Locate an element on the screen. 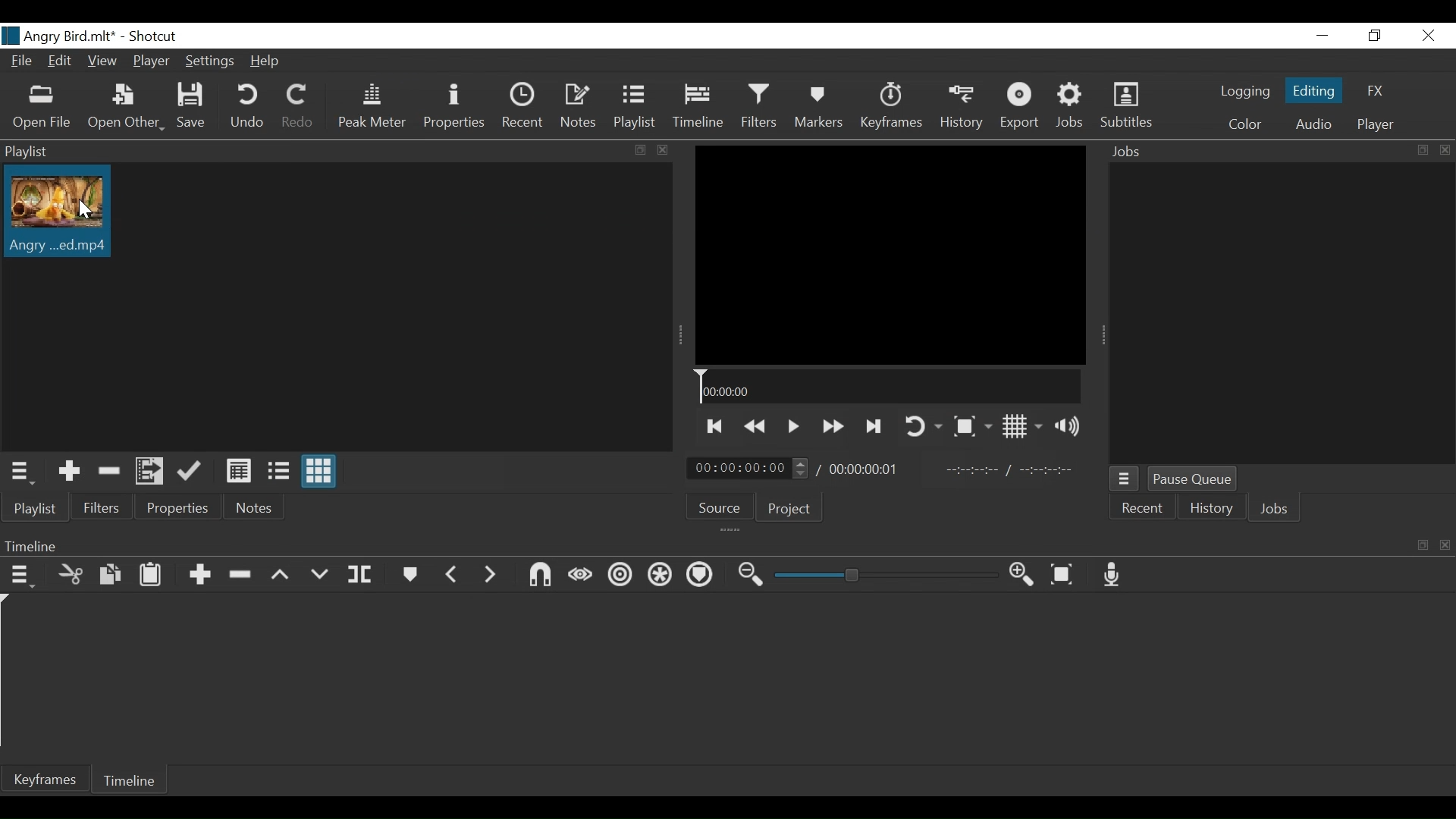  Paste is located at coordinates (152, 574).